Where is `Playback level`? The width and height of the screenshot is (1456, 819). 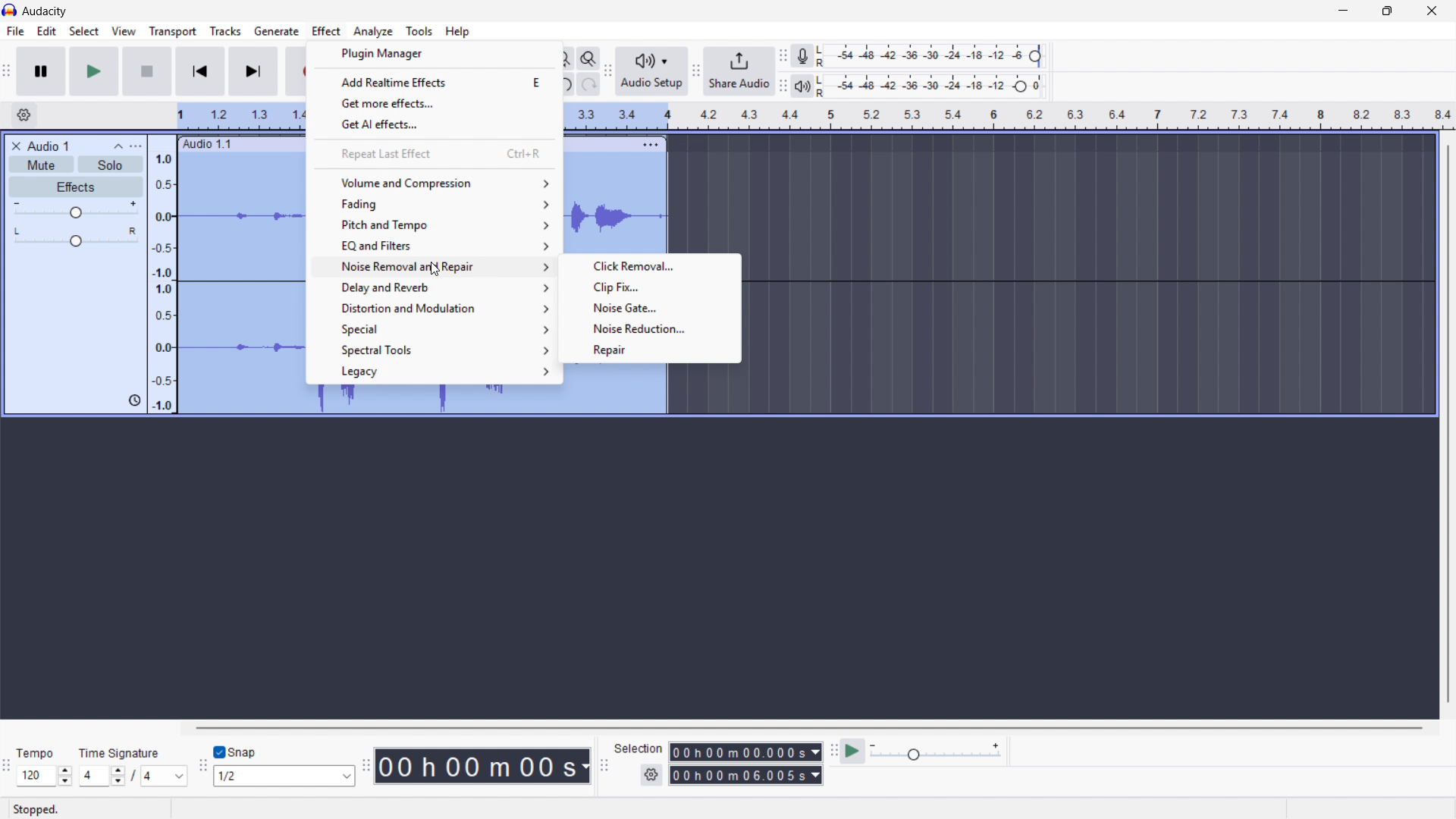
Playback level is located at coordinates (934, 86).